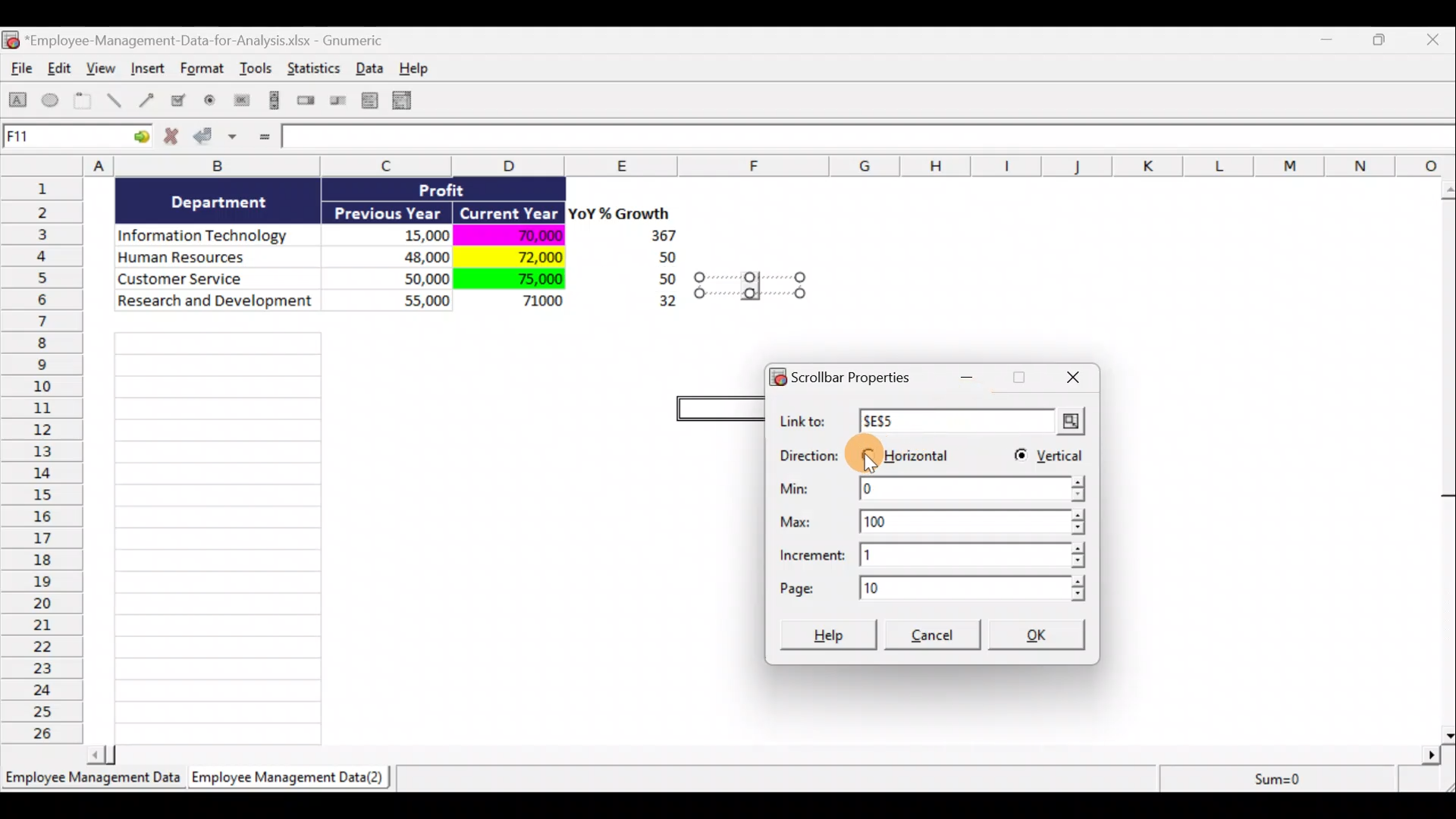  I want to click on Maximise, so click(1387, 38).